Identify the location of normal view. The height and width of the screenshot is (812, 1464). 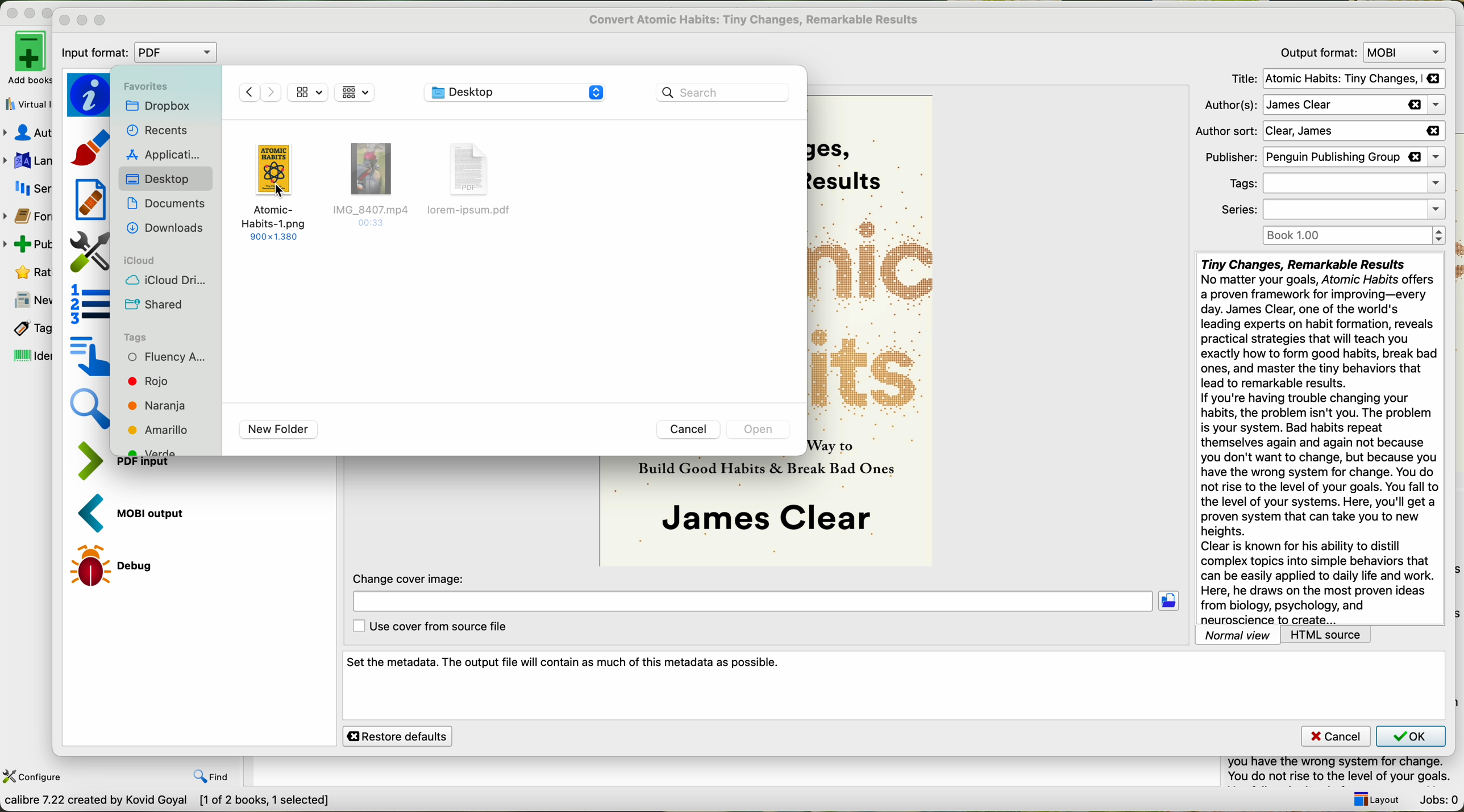
(1238, 635).